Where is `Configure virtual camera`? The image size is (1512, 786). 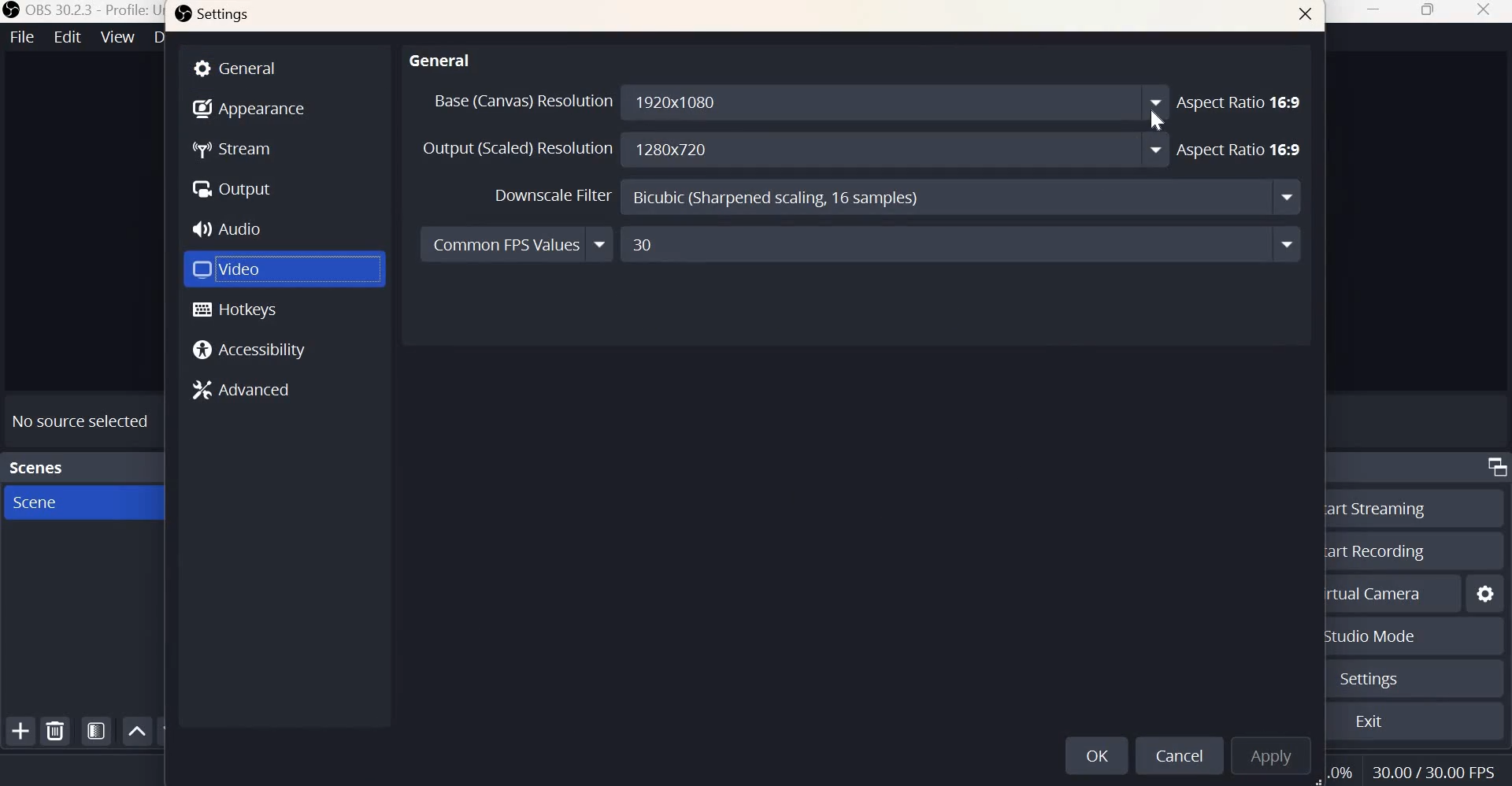
Configure virtual camera is located at coordinates (1486, 591).